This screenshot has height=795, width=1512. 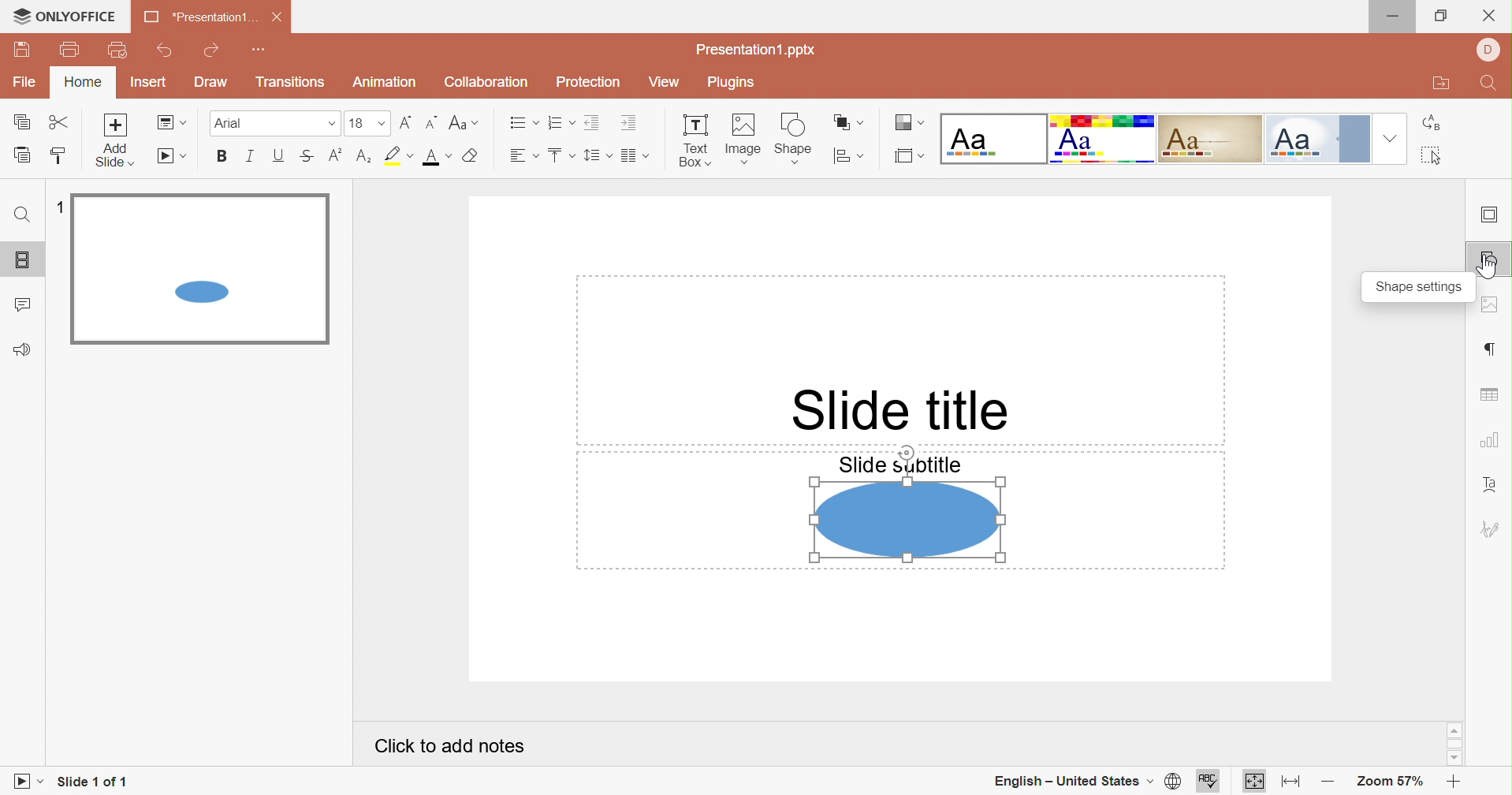 I want to click on Click to add notes, so click(x=449, y=745).